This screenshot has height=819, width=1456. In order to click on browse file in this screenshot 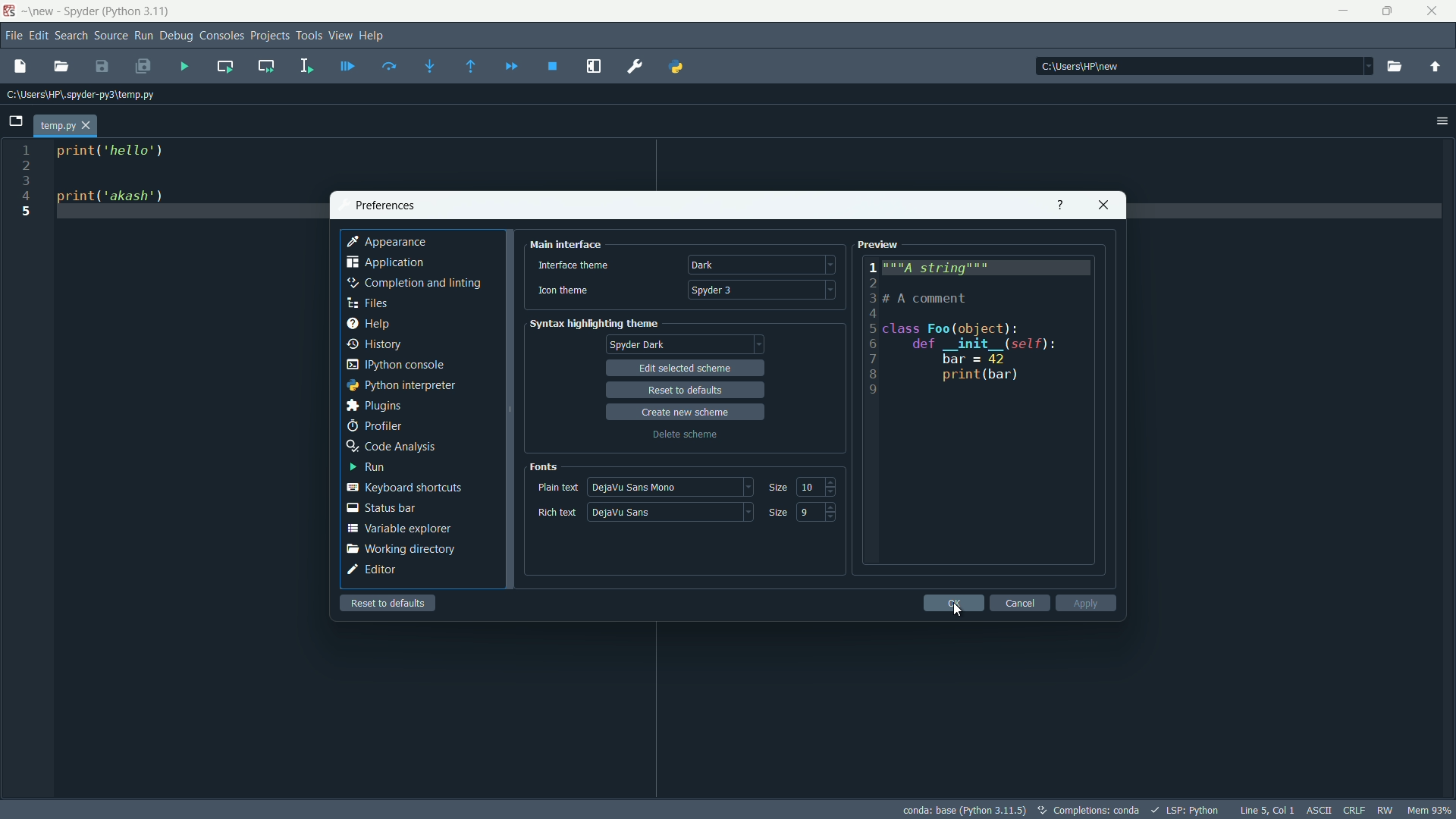, I will do `click(62, 67)`.